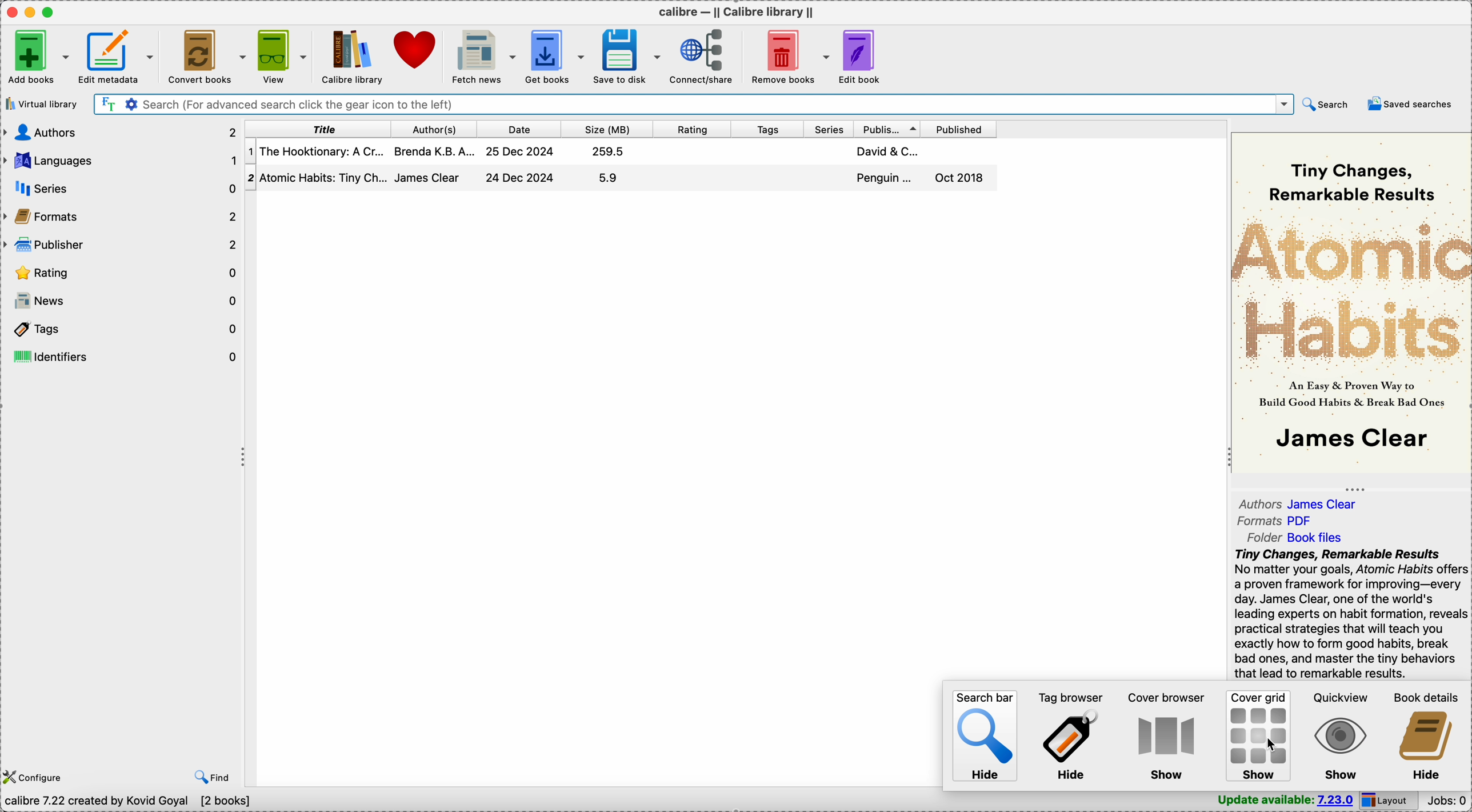  What do you see at coordinates (1424, 735) in the screenshot?
I see `hide book details` at bounding box center [1424, 735].